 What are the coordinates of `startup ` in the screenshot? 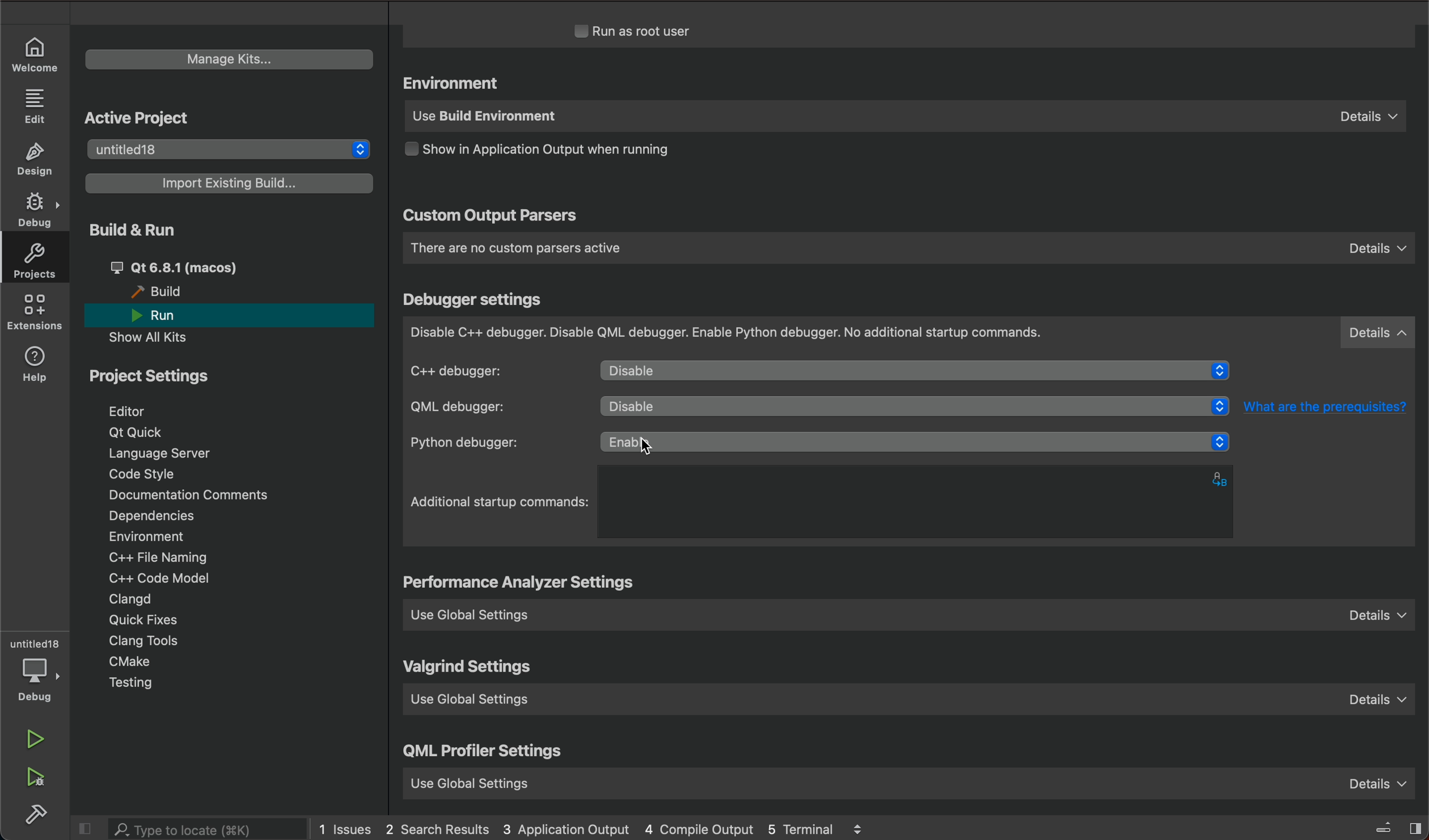 It's located at (501, 502).